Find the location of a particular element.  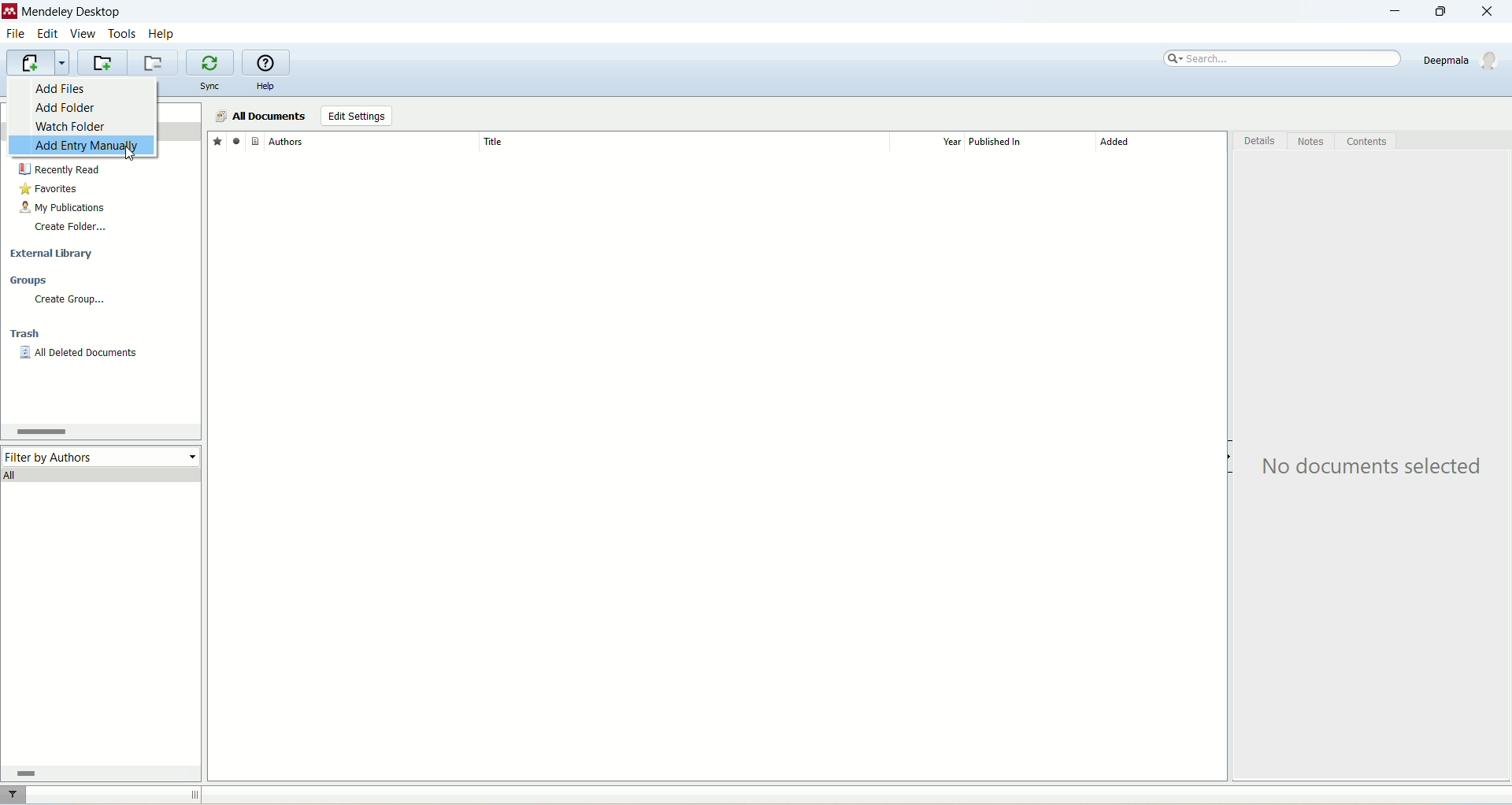

Add entry manually is located at coordinates (69, 147).